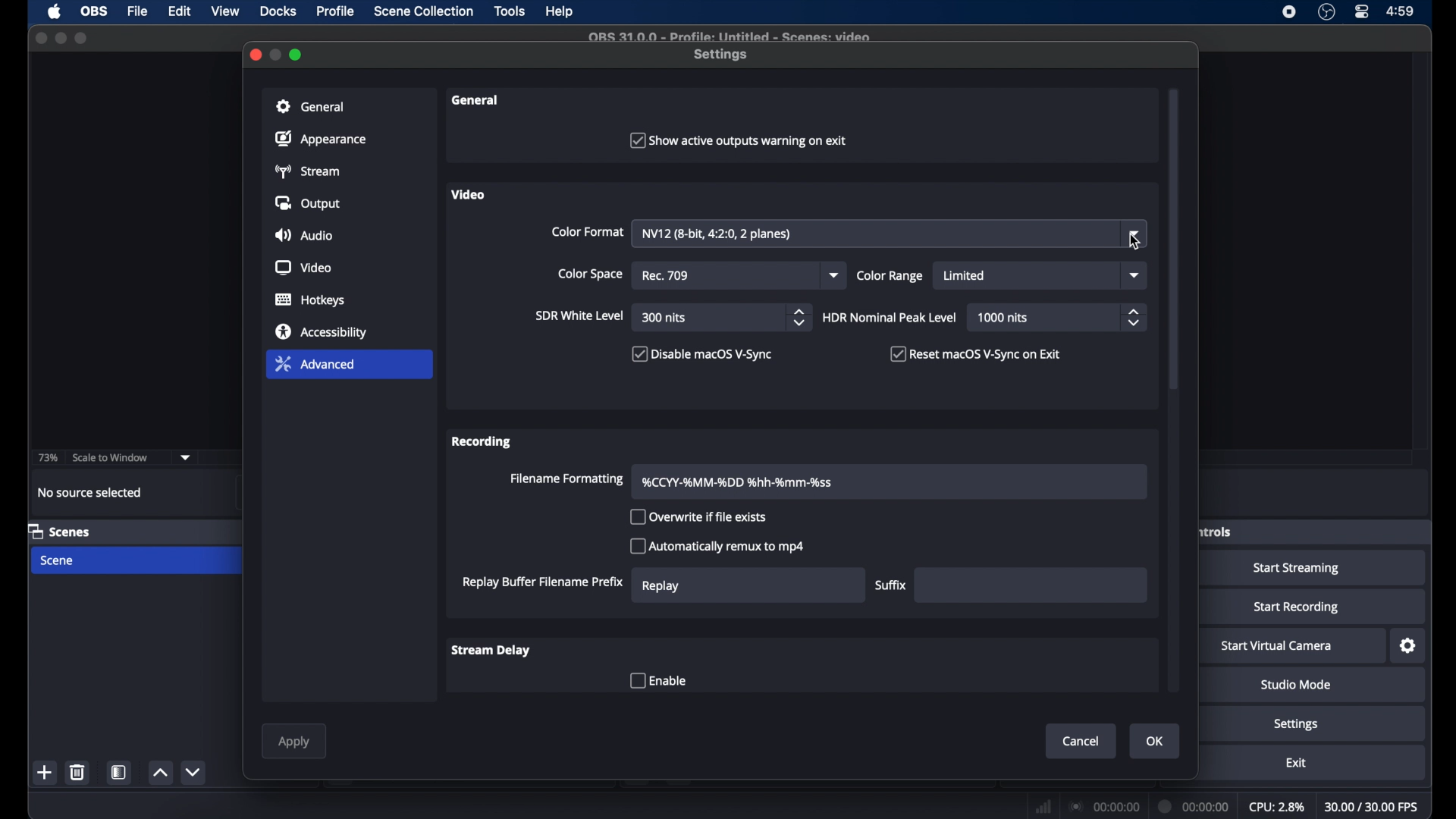 Image resolution: width=1456 pixels, height=819 pixels. What do you see at coordinates (1407, 646) in the screenshot?
I see `settings` at bounding box center [1407, 646].